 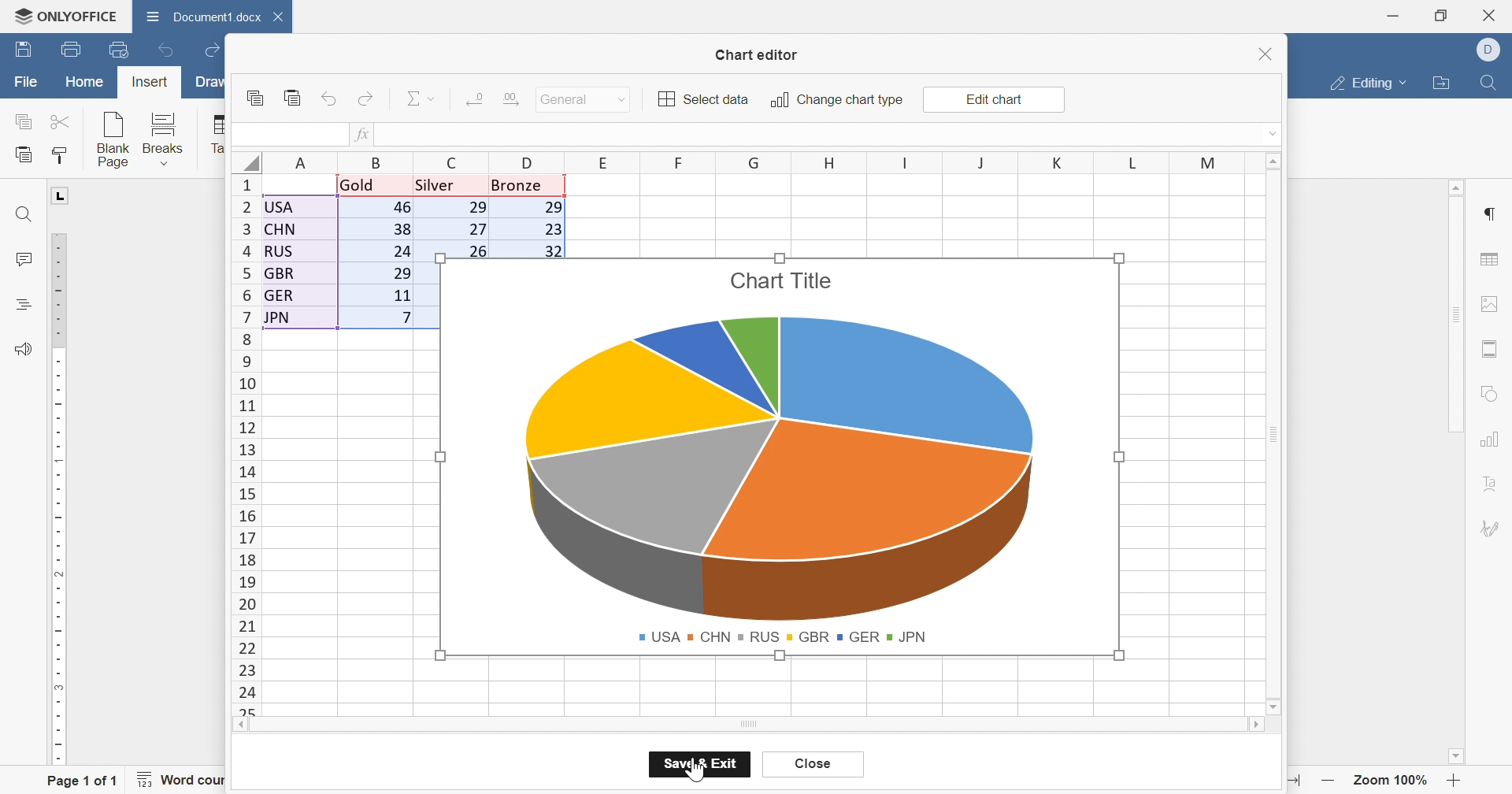 I want to click on Row numbers, so click(x=243, y=445).